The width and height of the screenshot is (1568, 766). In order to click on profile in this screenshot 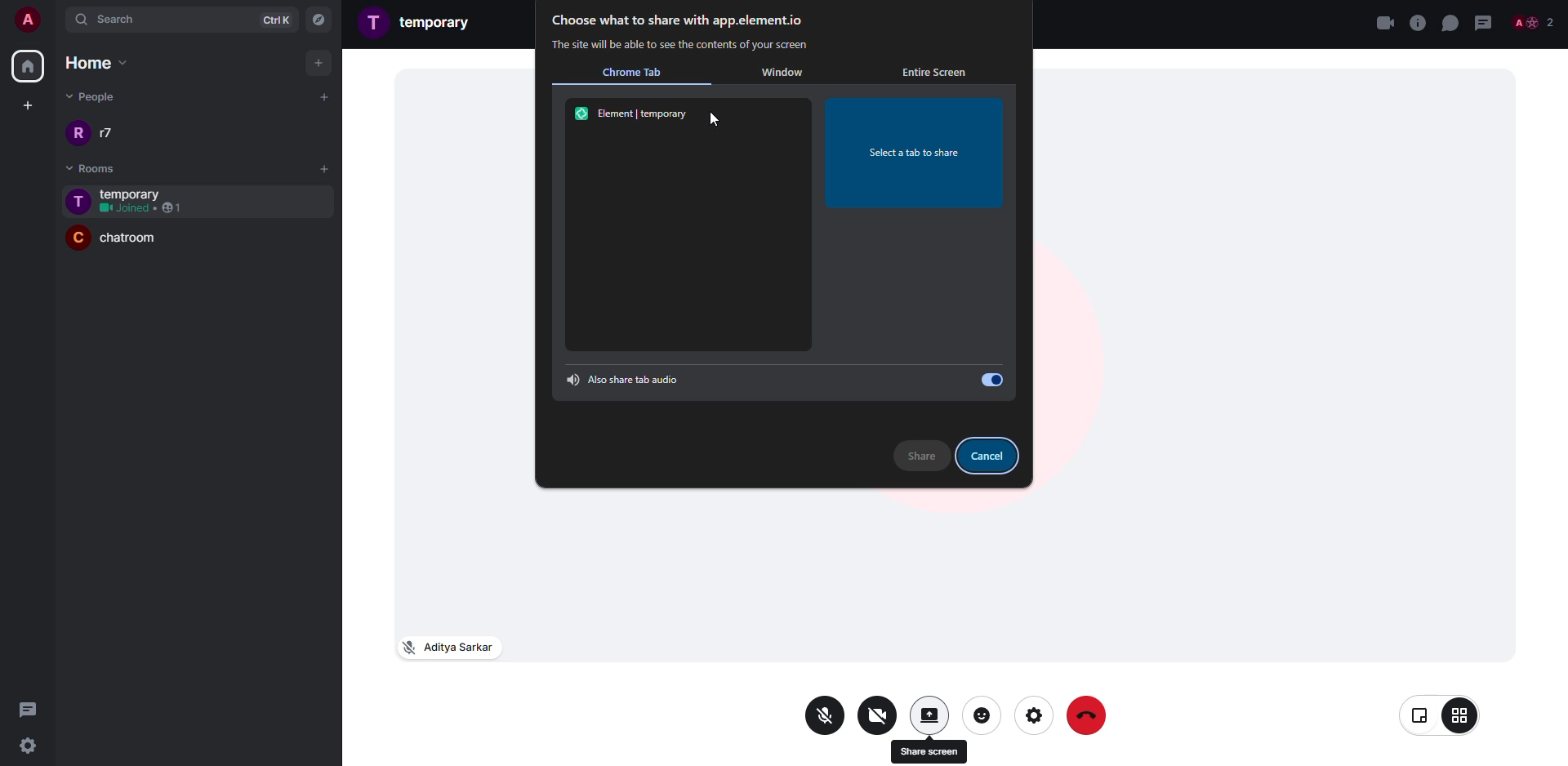, I will do `click(375, 21)`.